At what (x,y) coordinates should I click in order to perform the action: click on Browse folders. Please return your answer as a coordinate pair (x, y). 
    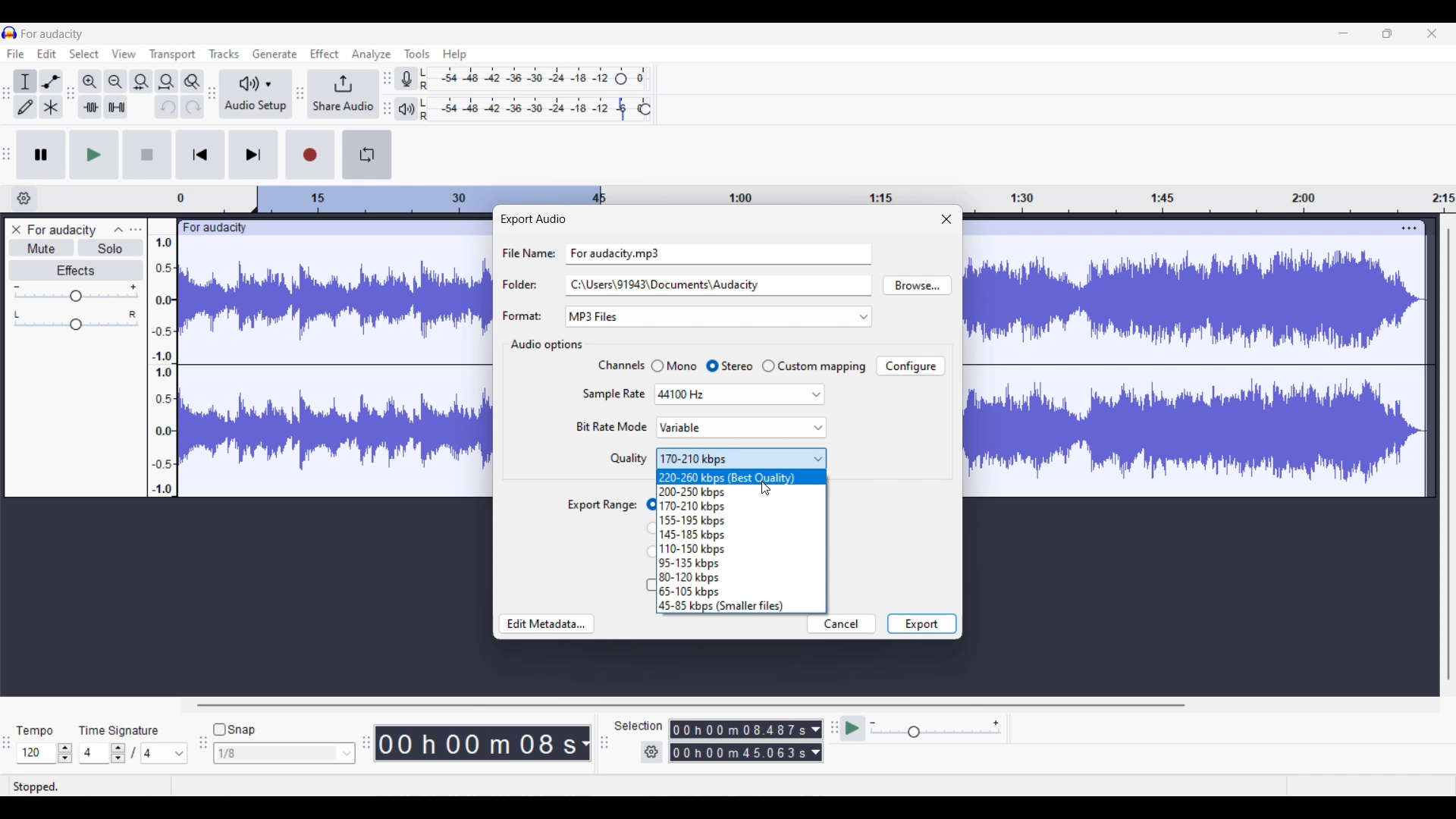
    Looking at the image, I should click on (917, 285).